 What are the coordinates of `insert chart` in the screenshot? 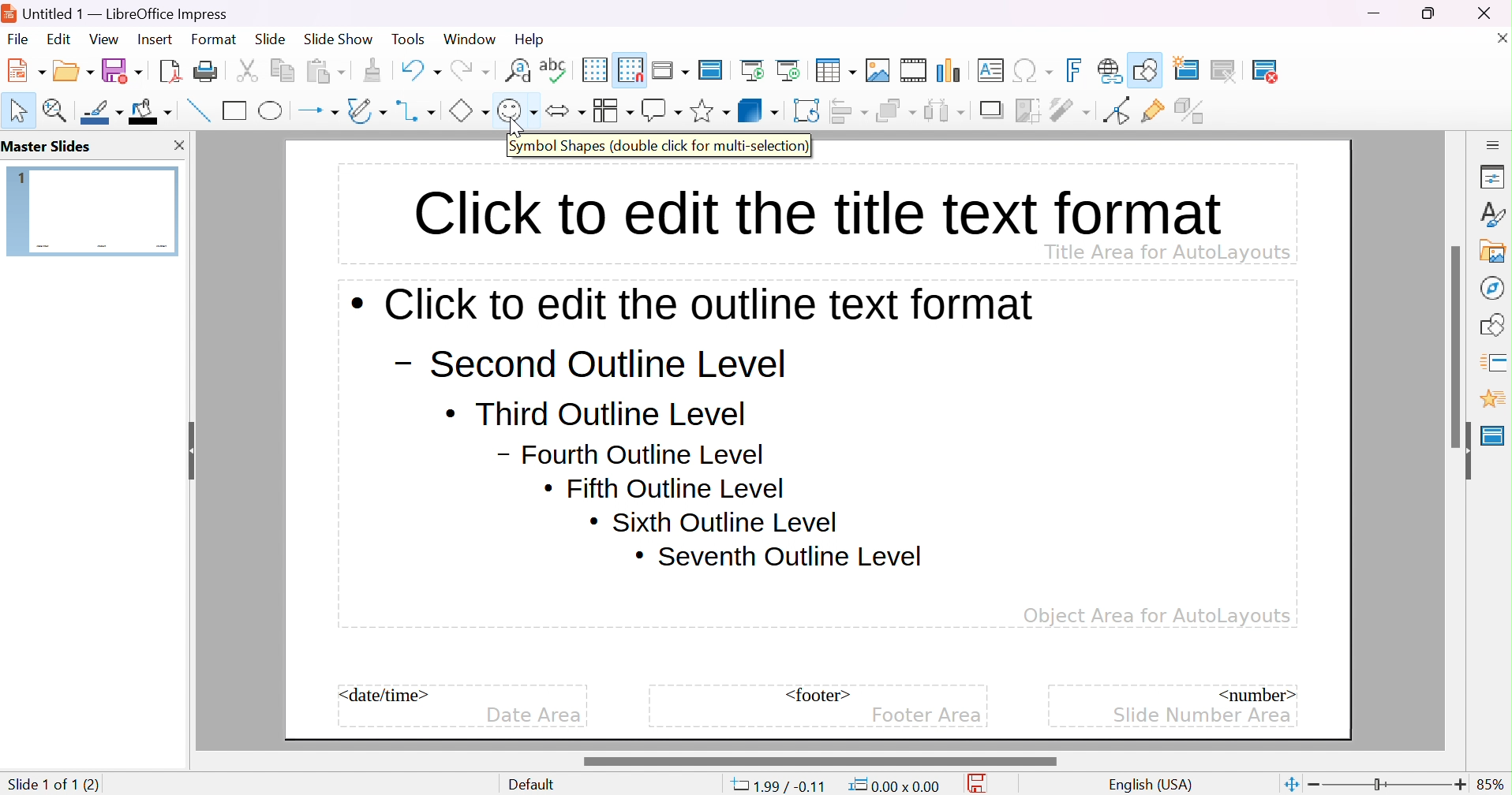 It's located at (951, 70).